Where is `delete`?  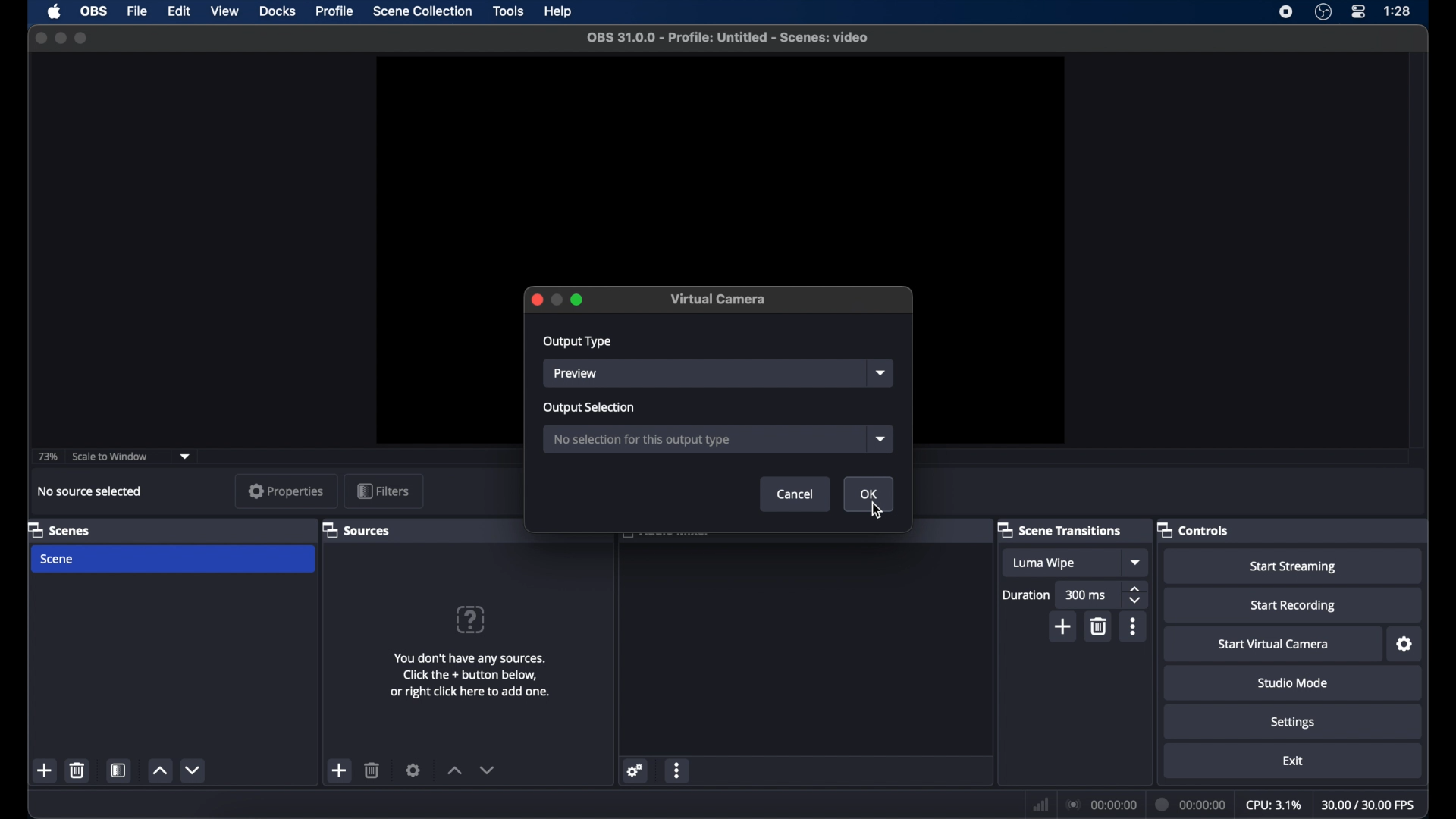
delete is located at coordinates (78, 771).